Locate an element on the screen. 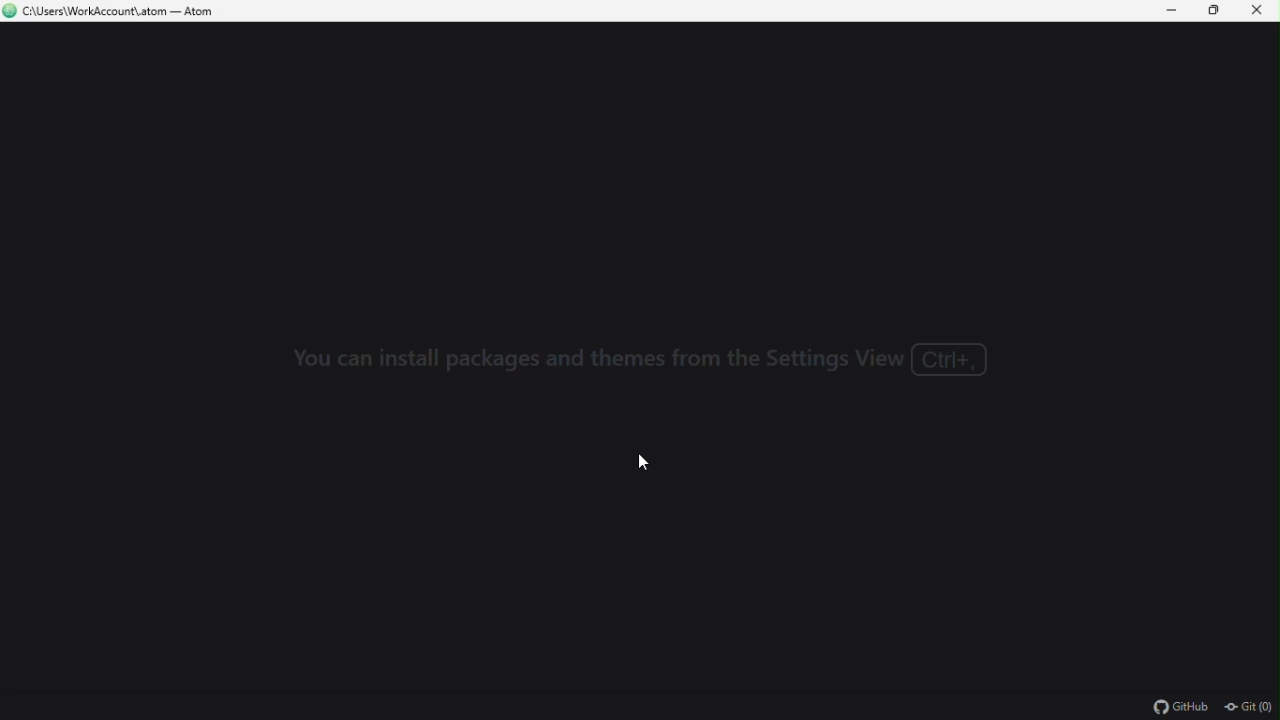  github is located at coordinates (1182, 708).